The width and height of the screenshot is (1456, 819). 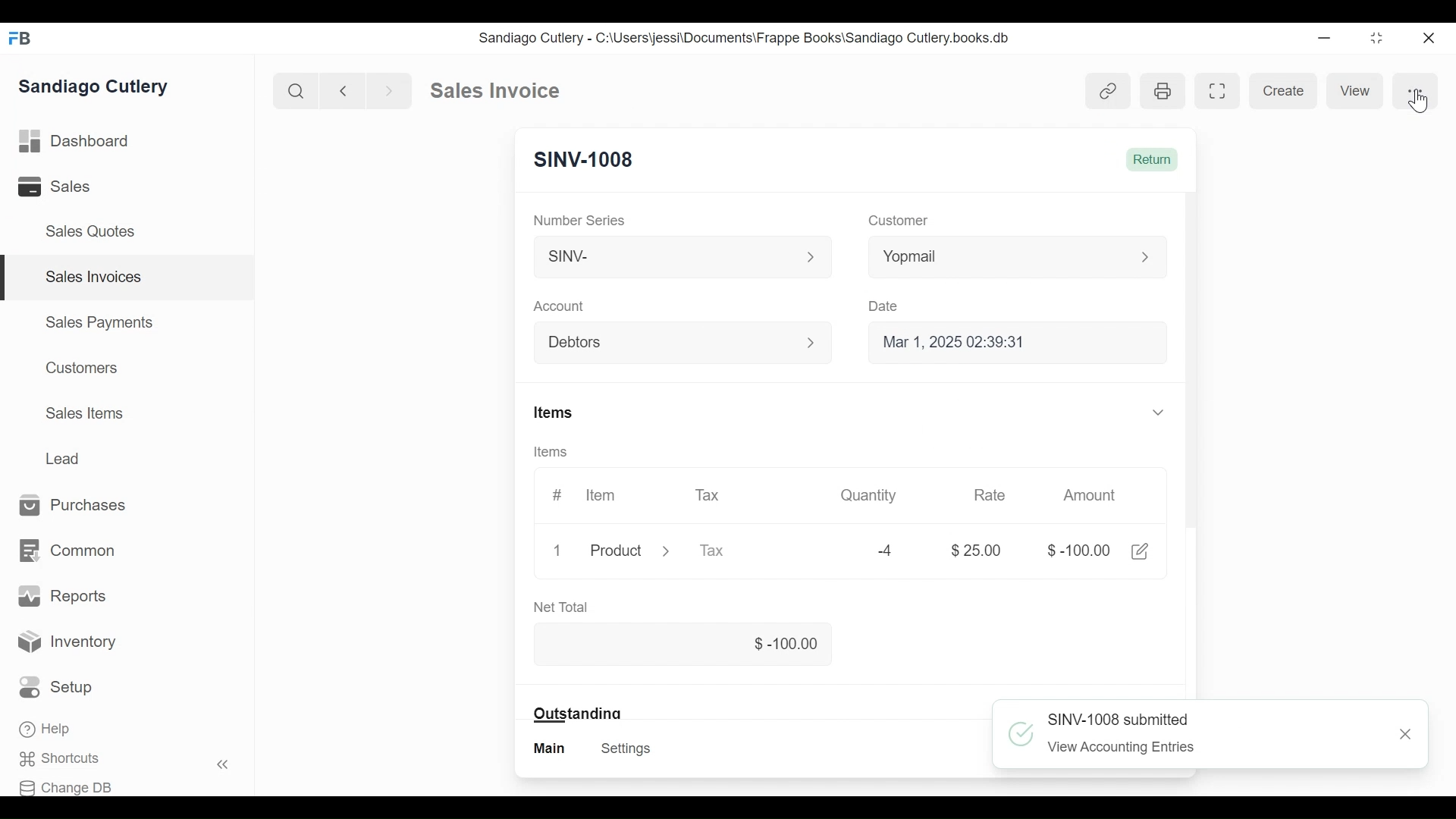 What do you see at coordinates (494, 91) in the screenshot?
I see `Sales invoice` at bounding box center [494, 91].